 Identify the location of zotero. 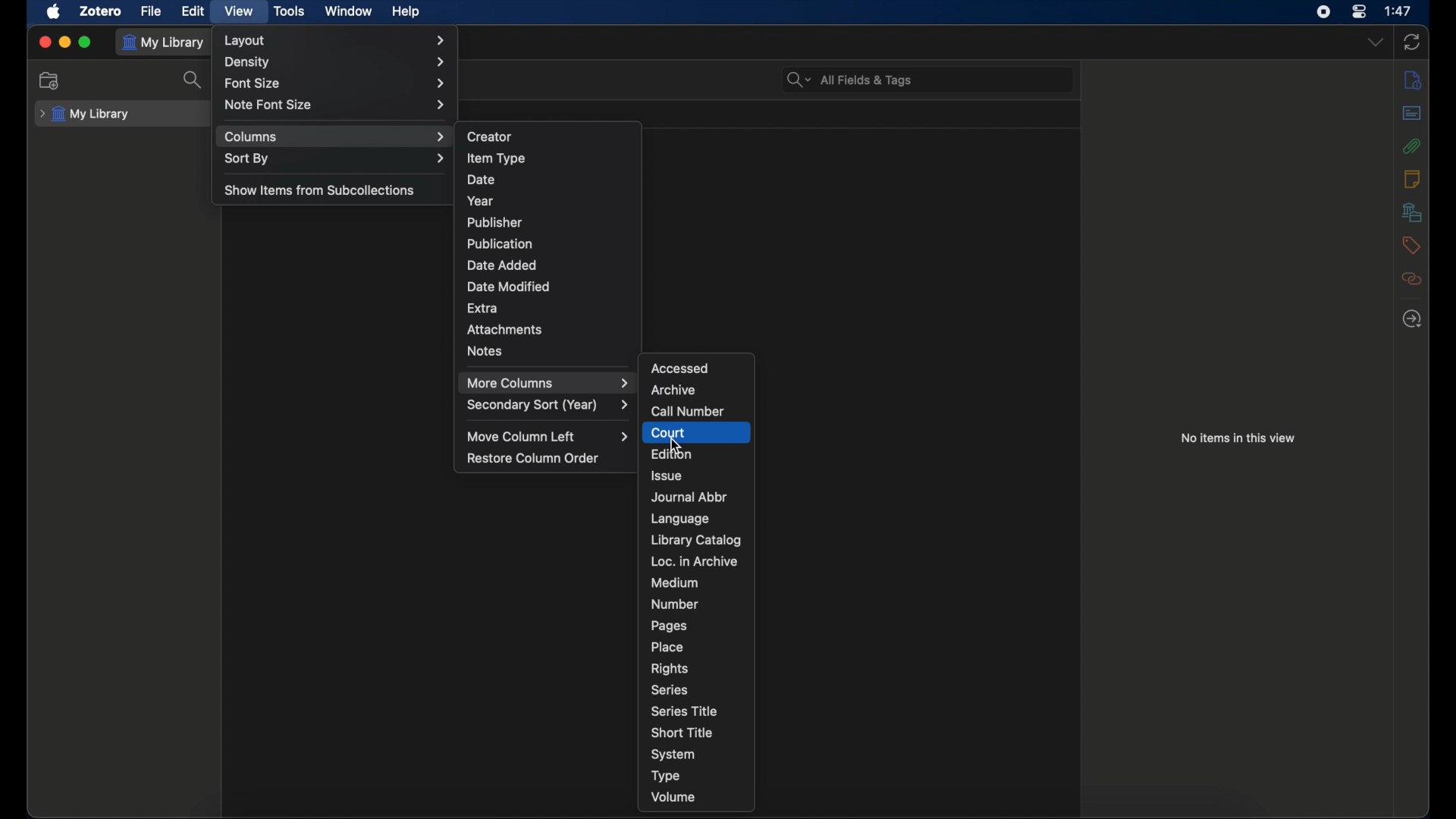
(99, 11).